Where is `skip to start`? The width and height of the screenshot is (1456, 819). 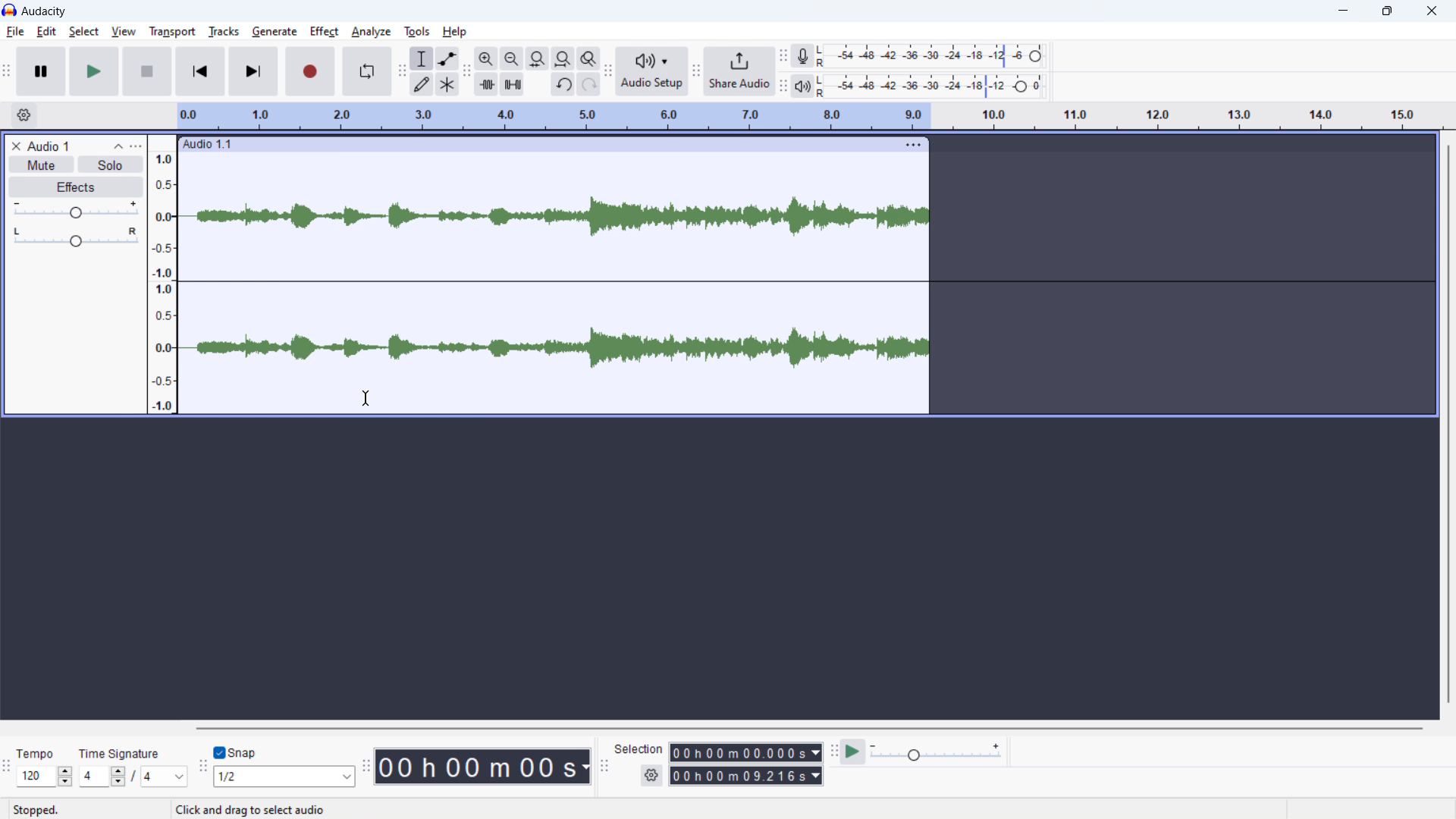
skip to start is located at coordinates (200, 71).